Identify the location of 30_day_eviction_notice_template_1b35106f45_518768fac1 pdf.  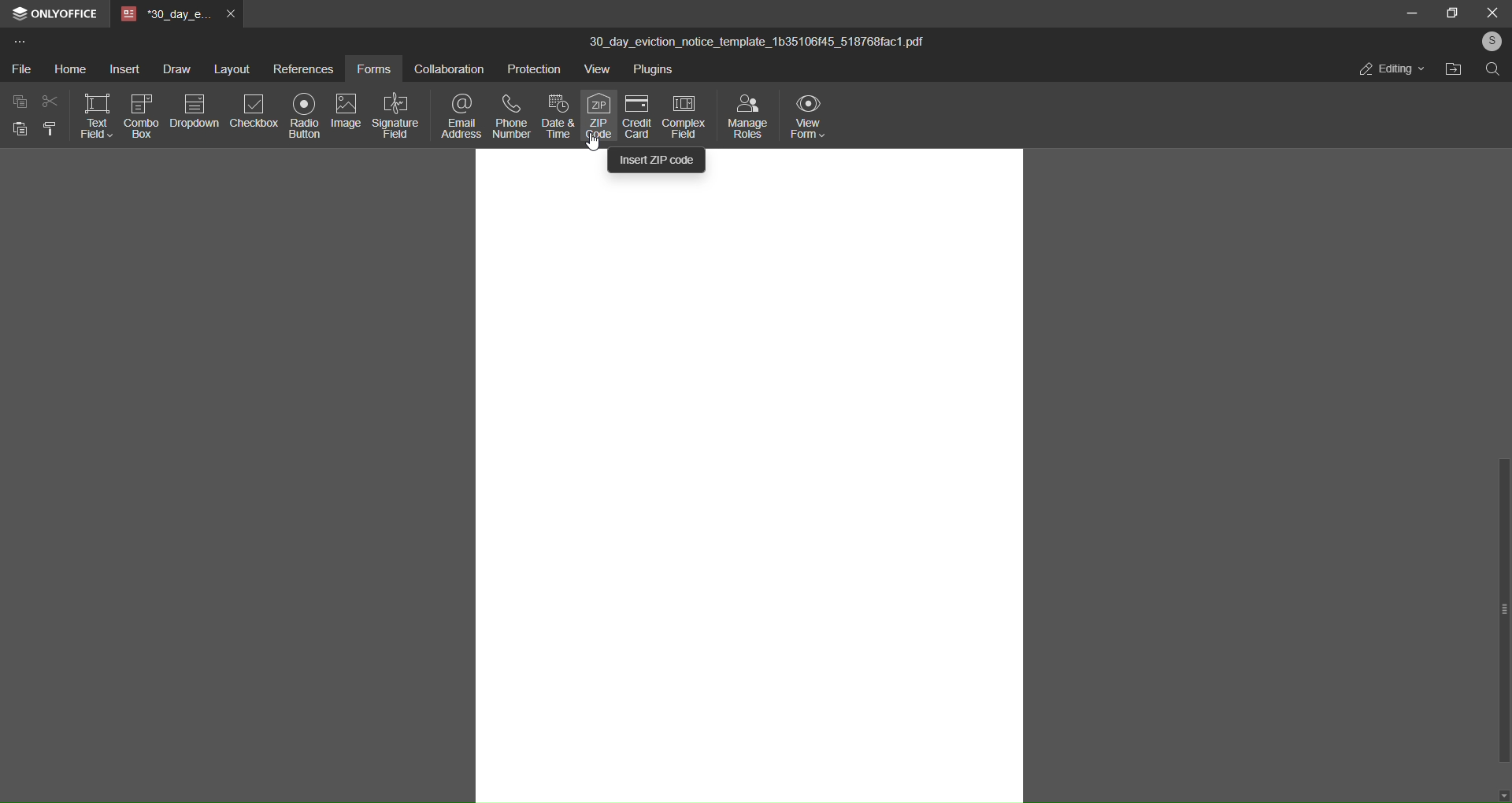
(763, 39).